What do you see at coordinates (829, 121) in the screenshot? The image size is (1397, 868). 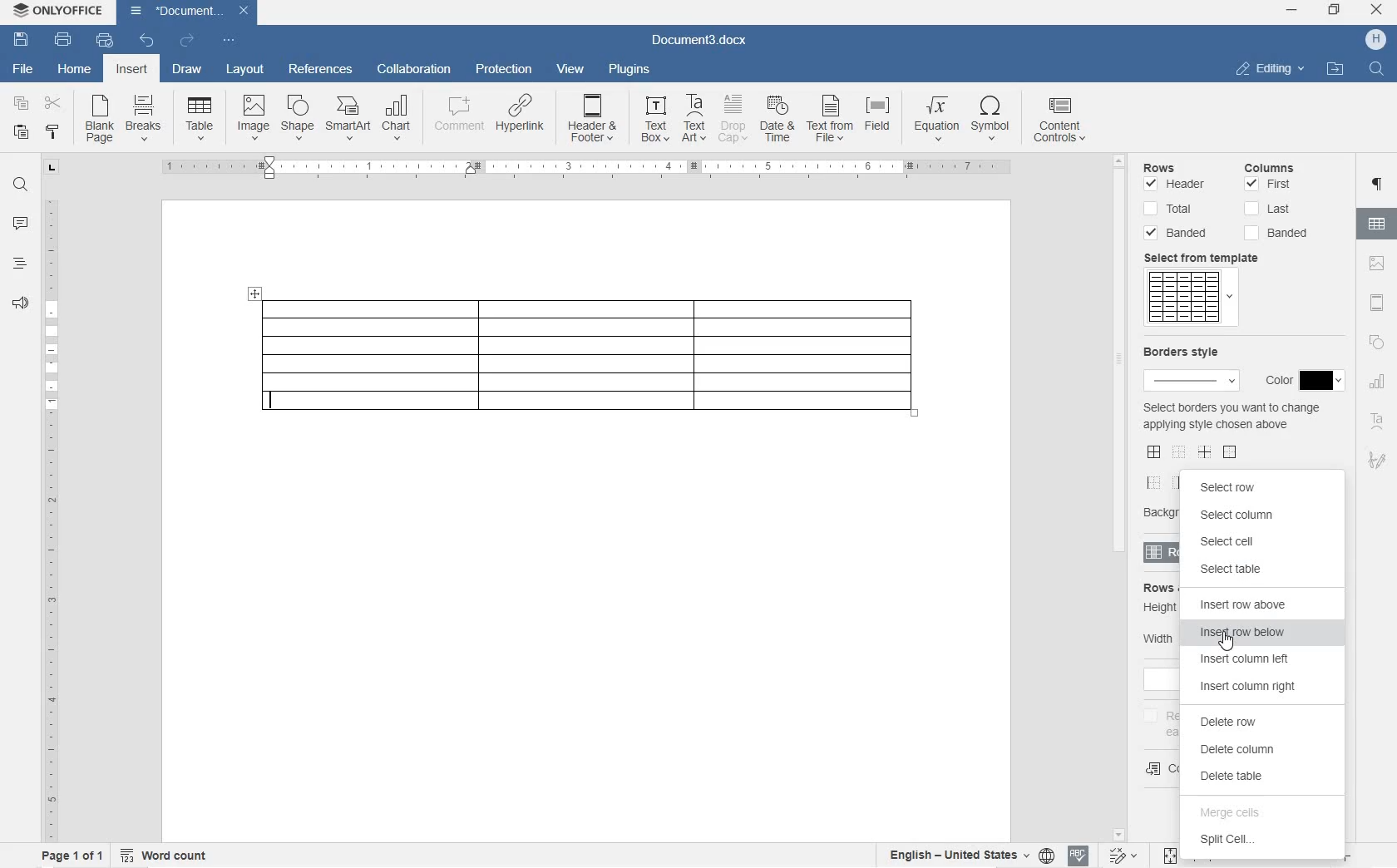 I see `TEXT FROM FILE` at bounding box center [829, 121].